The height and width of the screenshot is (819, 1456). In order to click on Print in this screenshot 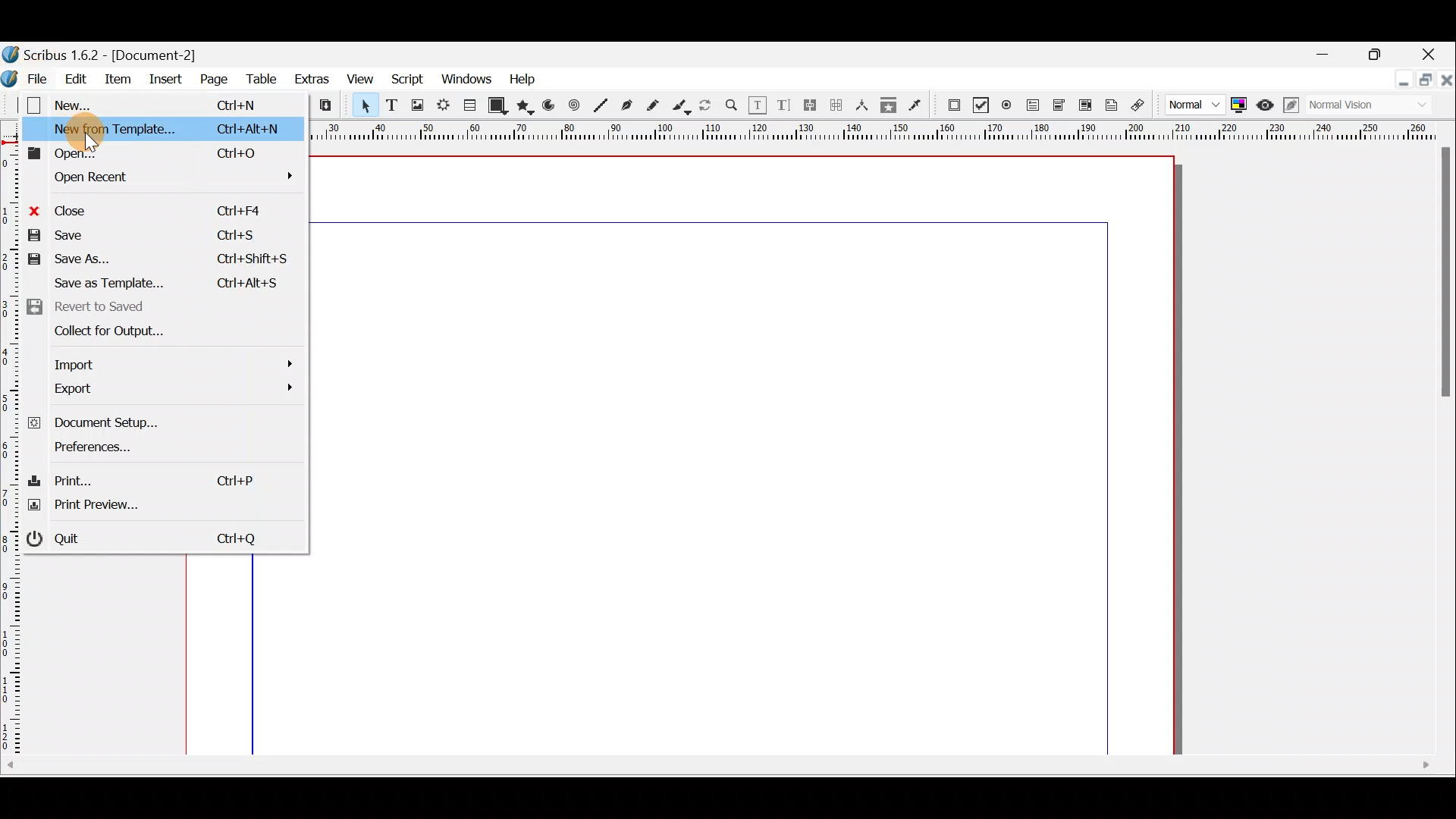, I will do `click(165, 479)`.